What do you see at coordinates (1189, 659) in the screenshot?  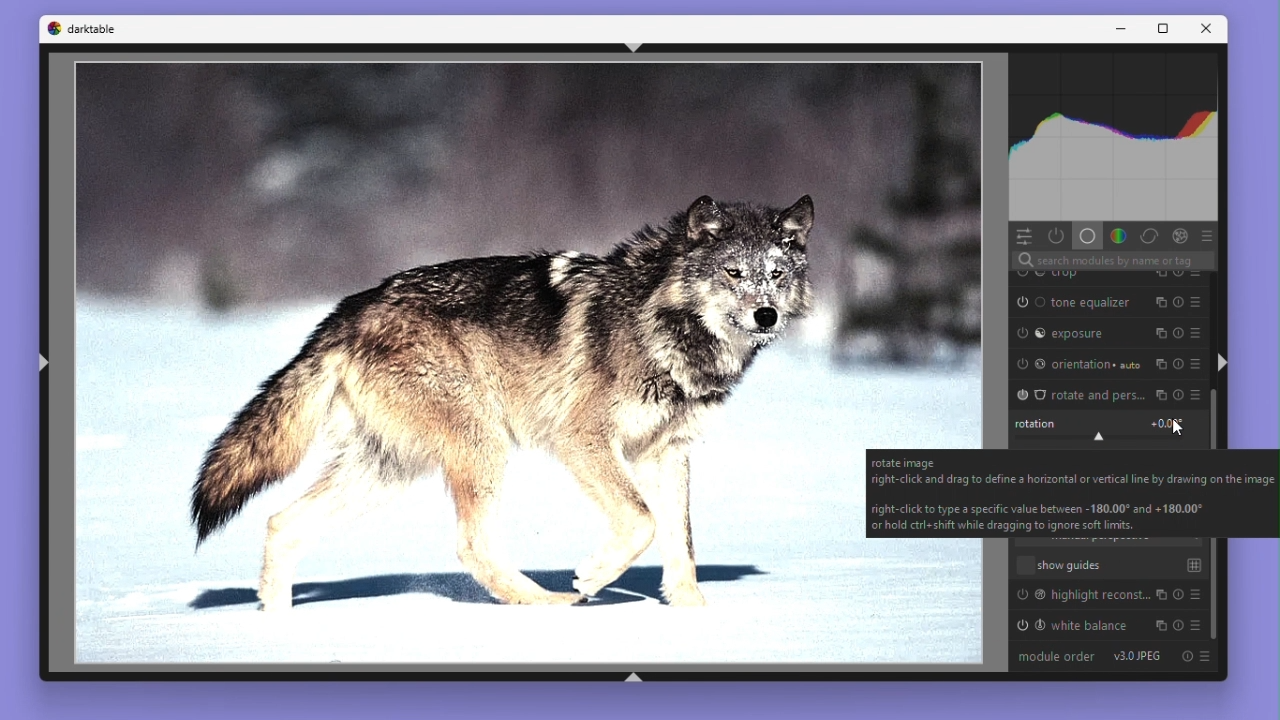 I see `` at bounding box center [1189, 659].